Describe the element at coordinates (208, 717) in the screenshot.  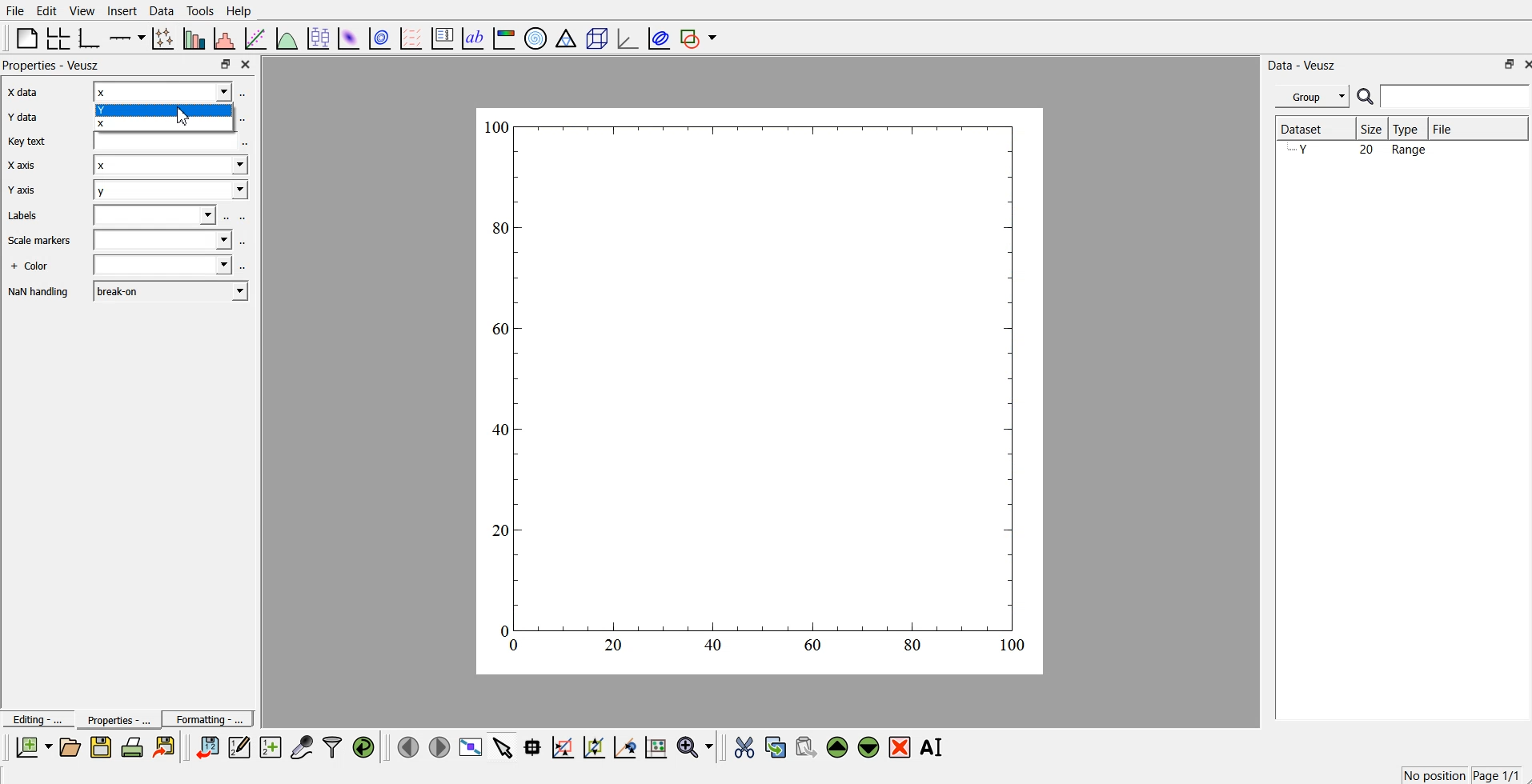
I see `Formatting` at that location.